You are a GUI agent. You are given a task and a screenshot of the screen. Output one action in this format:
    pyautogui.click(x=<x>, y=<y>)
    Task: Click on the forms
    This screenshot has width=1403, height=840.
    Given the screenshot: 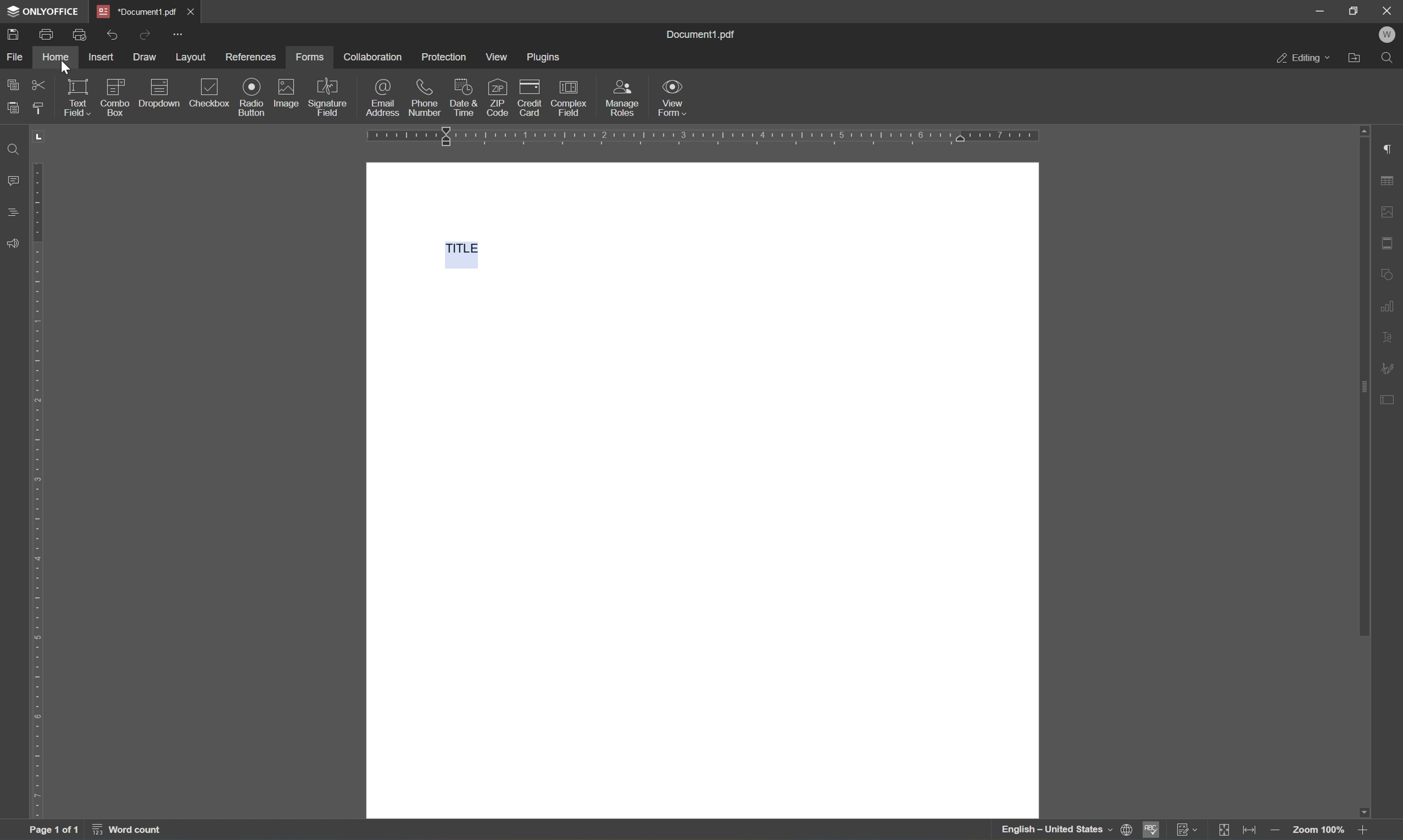 What is the action you would take?
    pyautogui.click(x=311, y=57)
    